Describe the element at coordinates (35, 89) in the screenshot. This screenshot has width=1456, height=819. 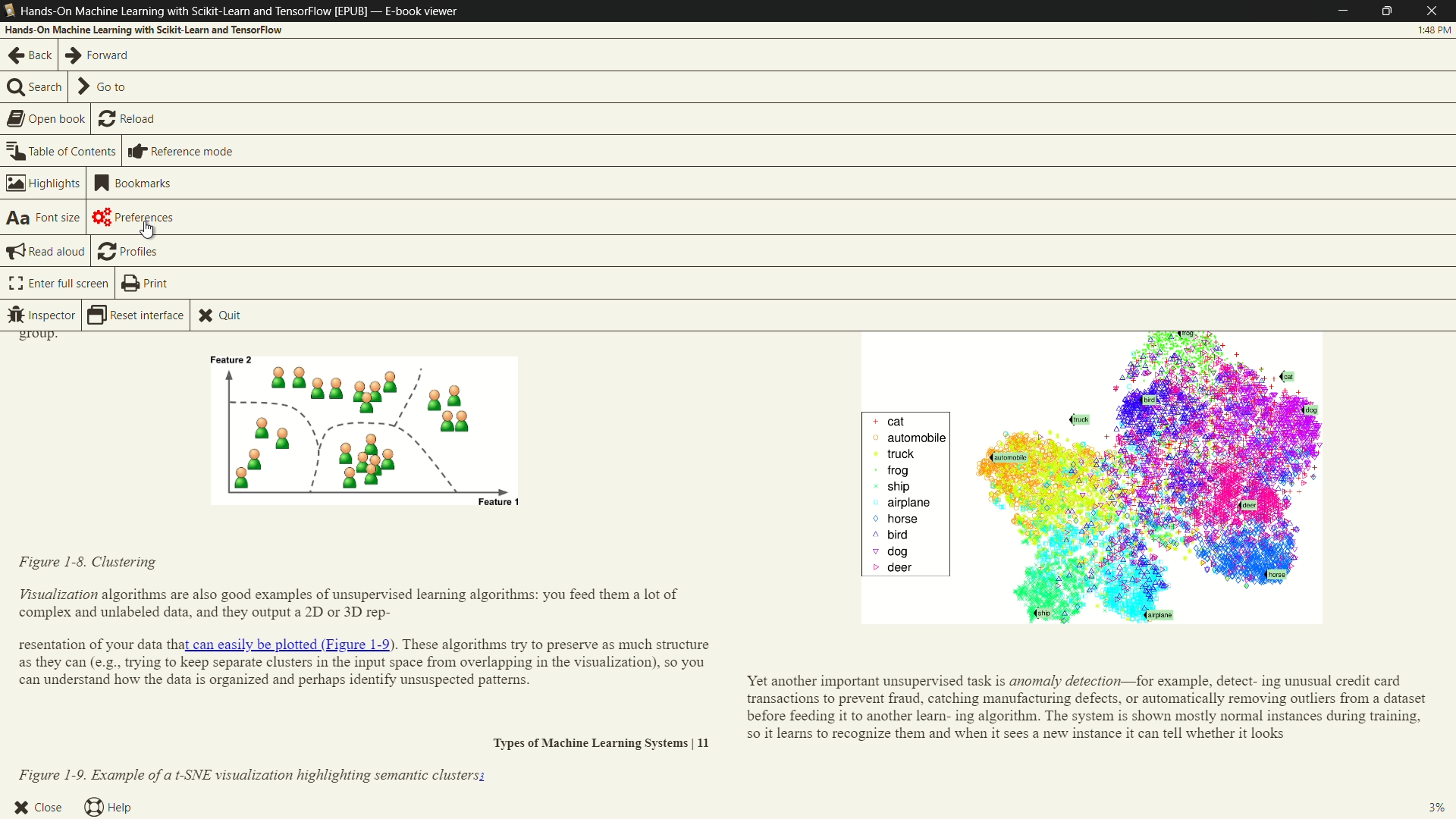
I see `search` at that location.